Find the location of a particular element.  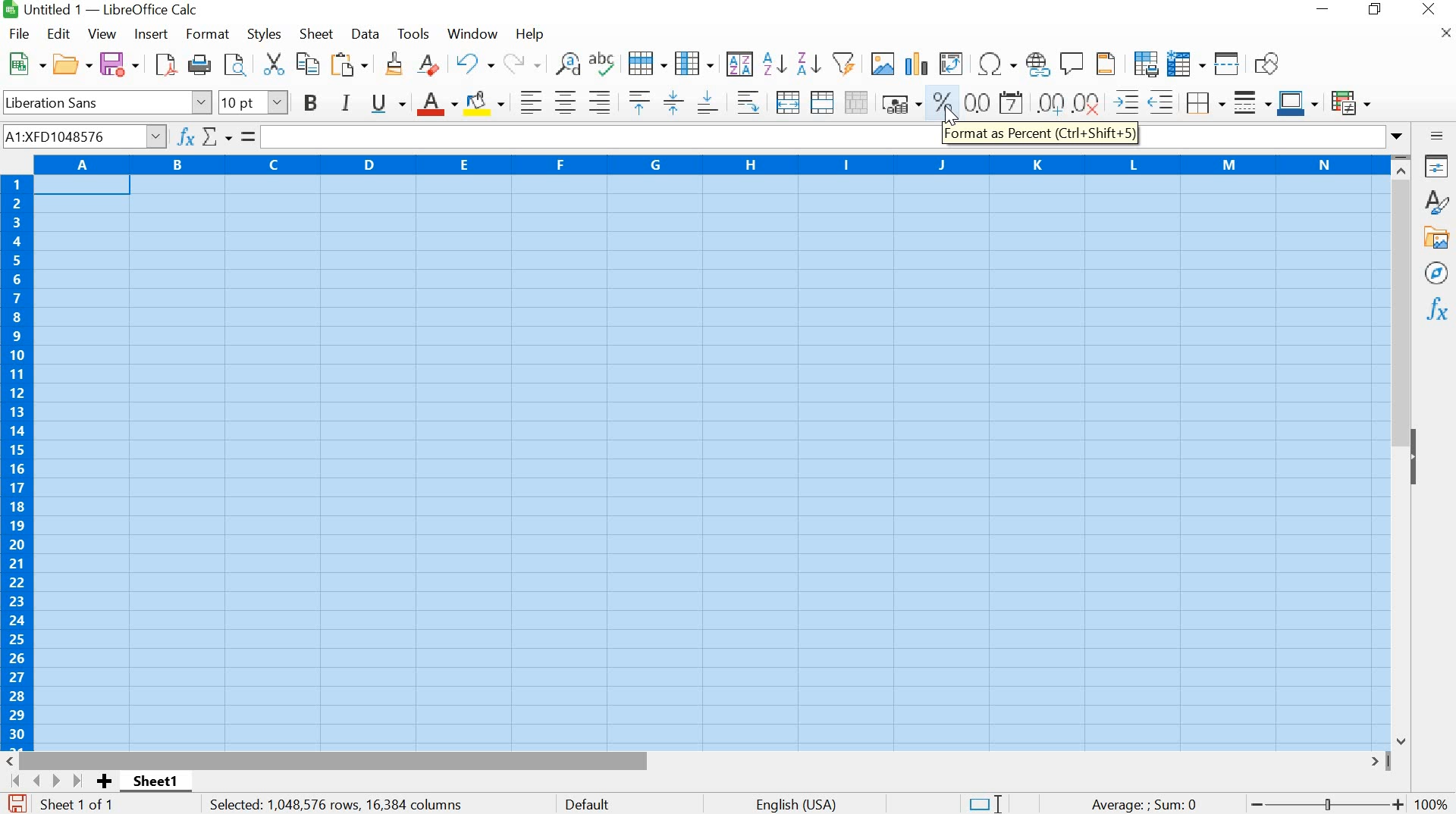

SHEET1 is located at coordinates (162, 783).